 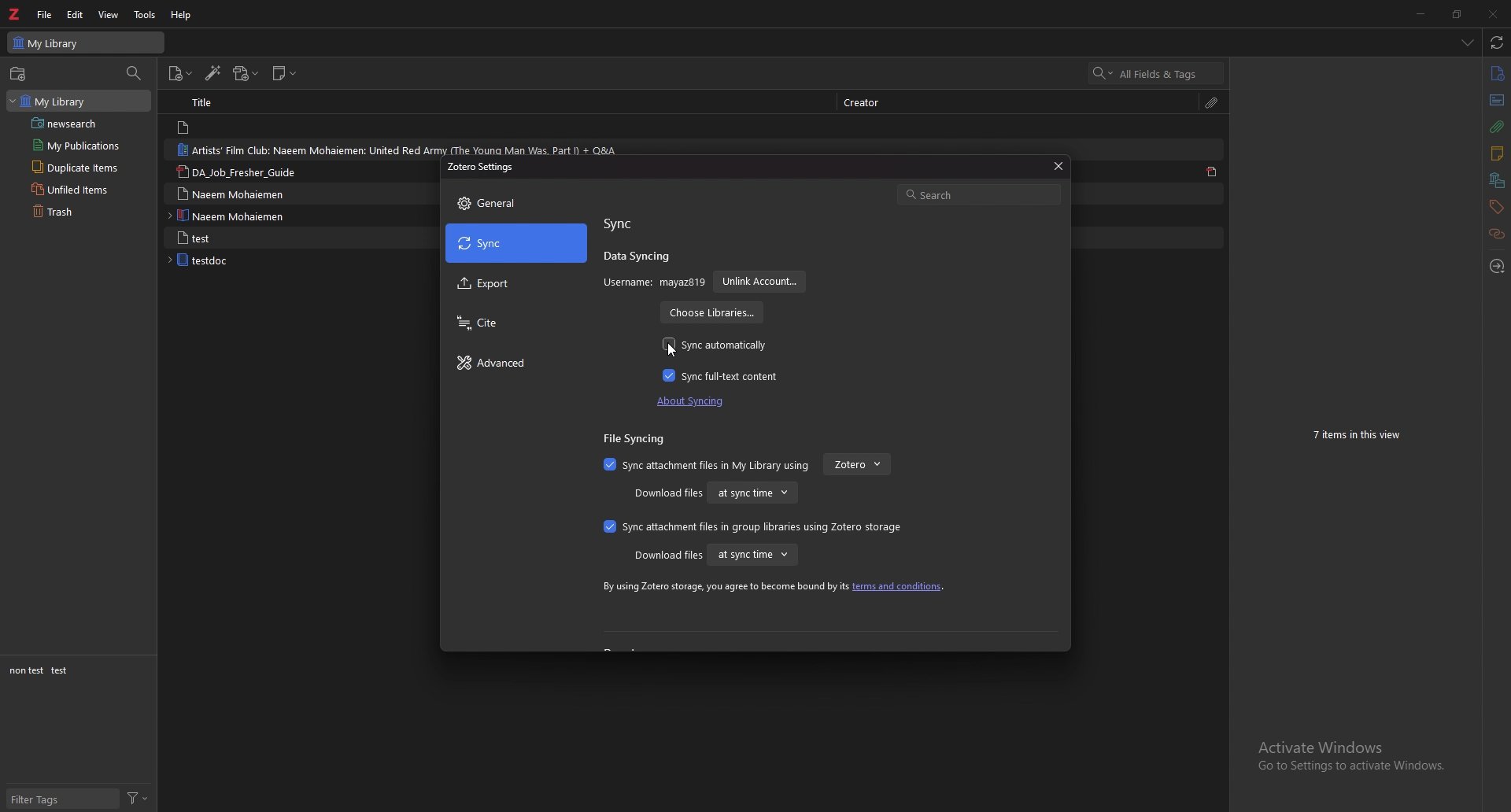 I want to click on naeem mohaiemen, so click(x=238, y=216).